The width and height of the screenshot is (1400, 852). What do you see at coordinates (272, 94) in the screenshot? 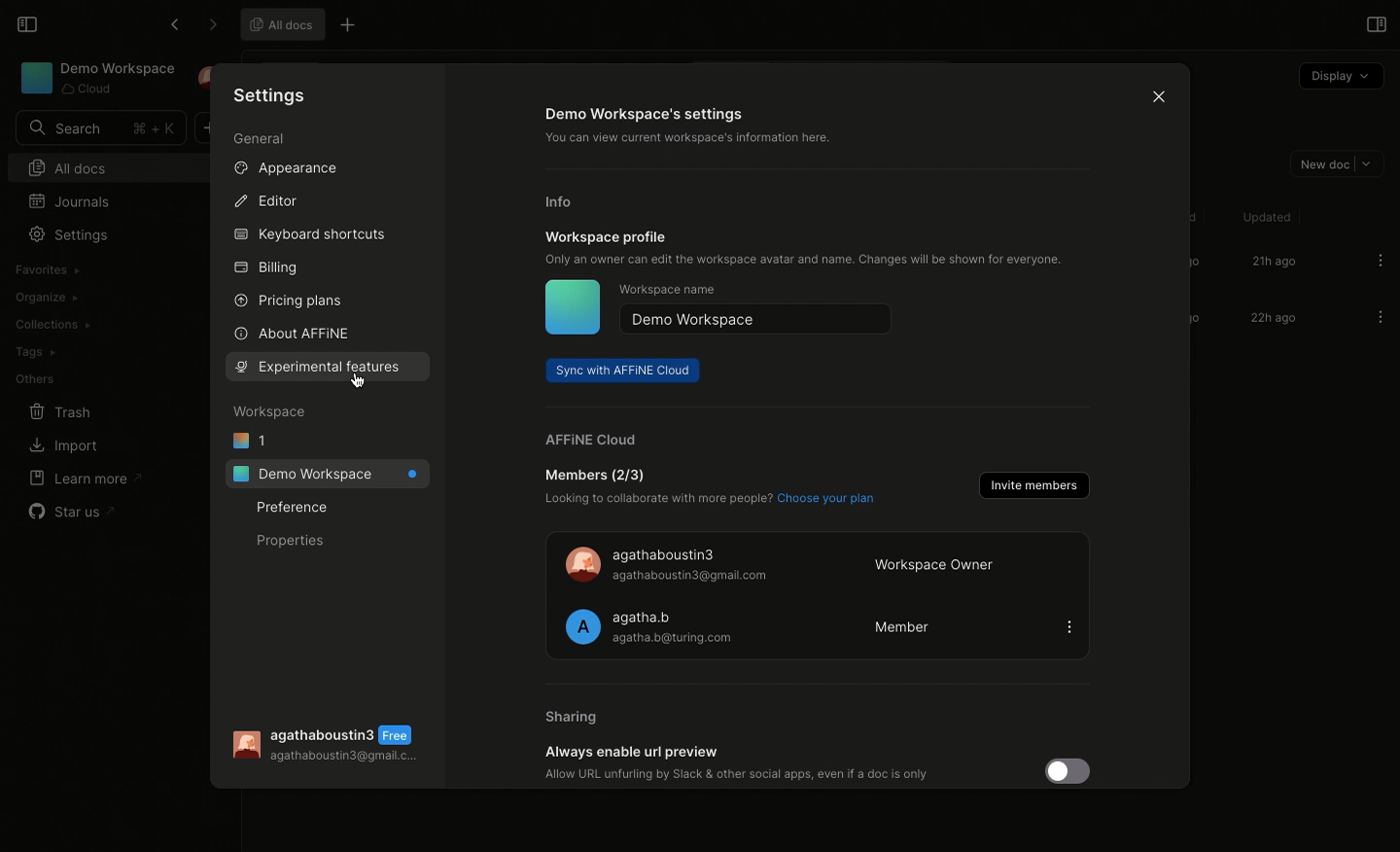
I see `Settings` at bounding box center [272, 94].